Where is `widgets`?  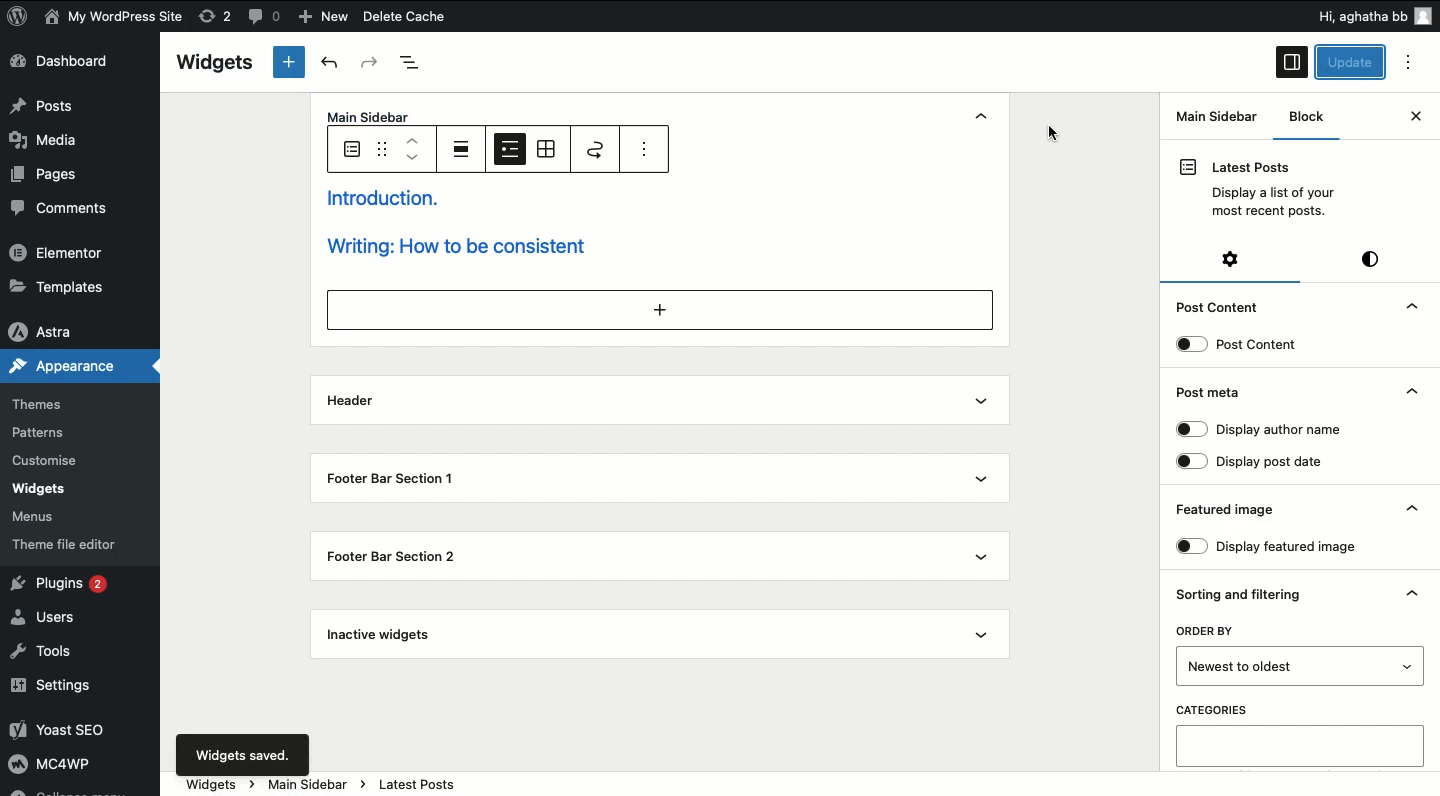 widgets is located at coordinates (55, 484).